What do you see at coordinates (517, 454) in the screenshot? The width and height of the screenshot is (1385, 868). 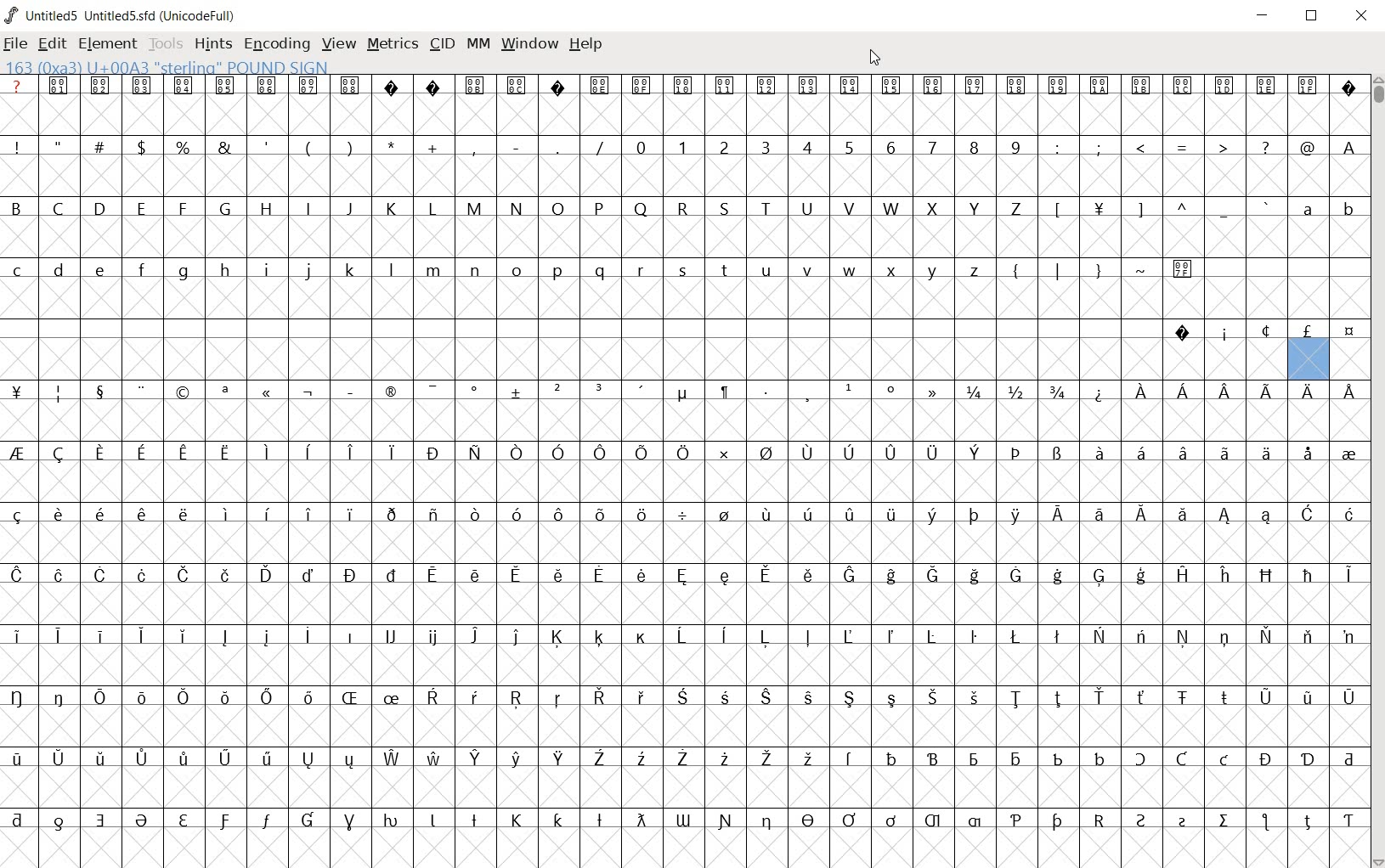 I see `Symbol` at bounding box center [517, 454].